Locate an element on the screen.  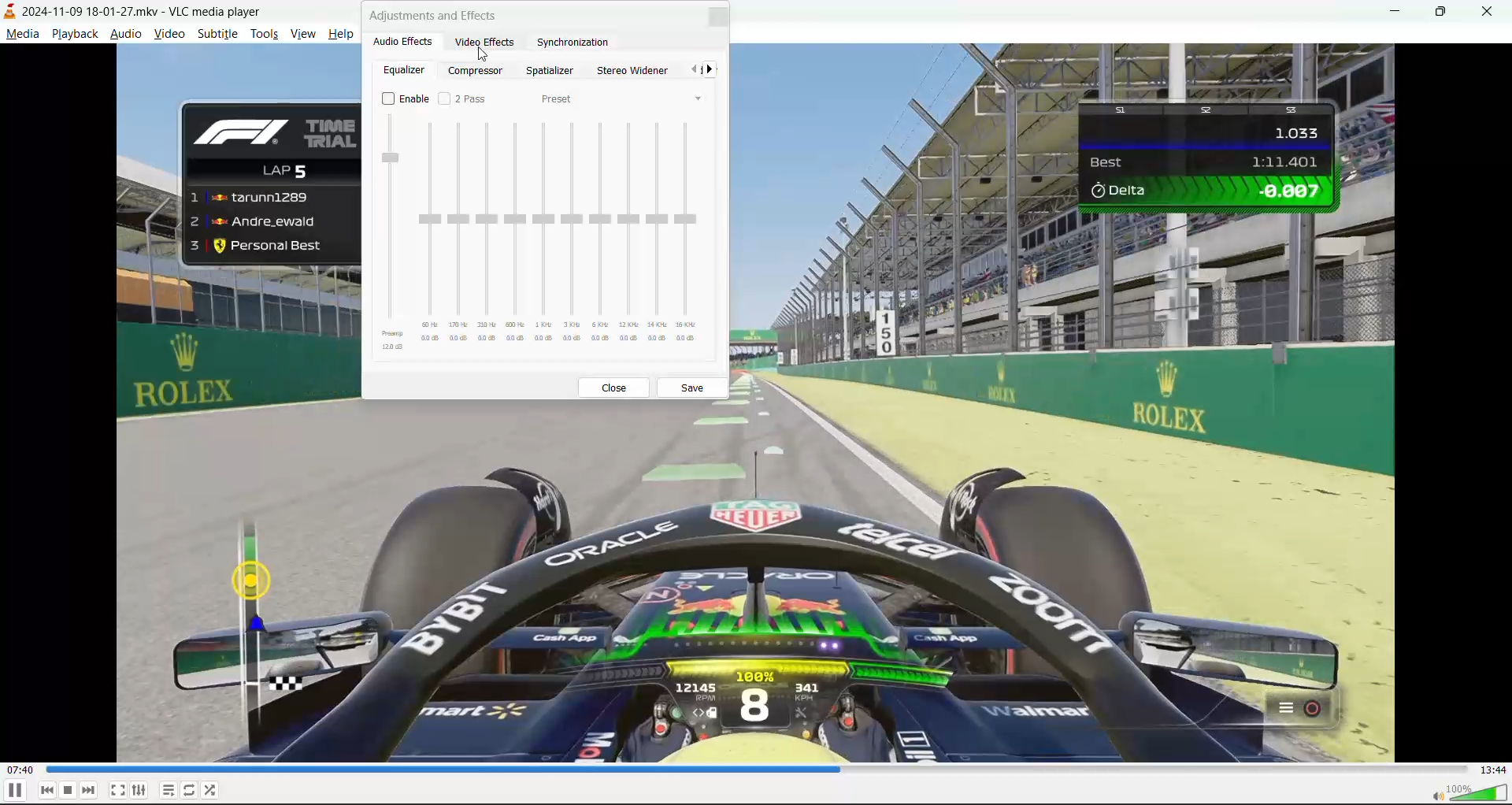
random is located at coordinates (212, 788).